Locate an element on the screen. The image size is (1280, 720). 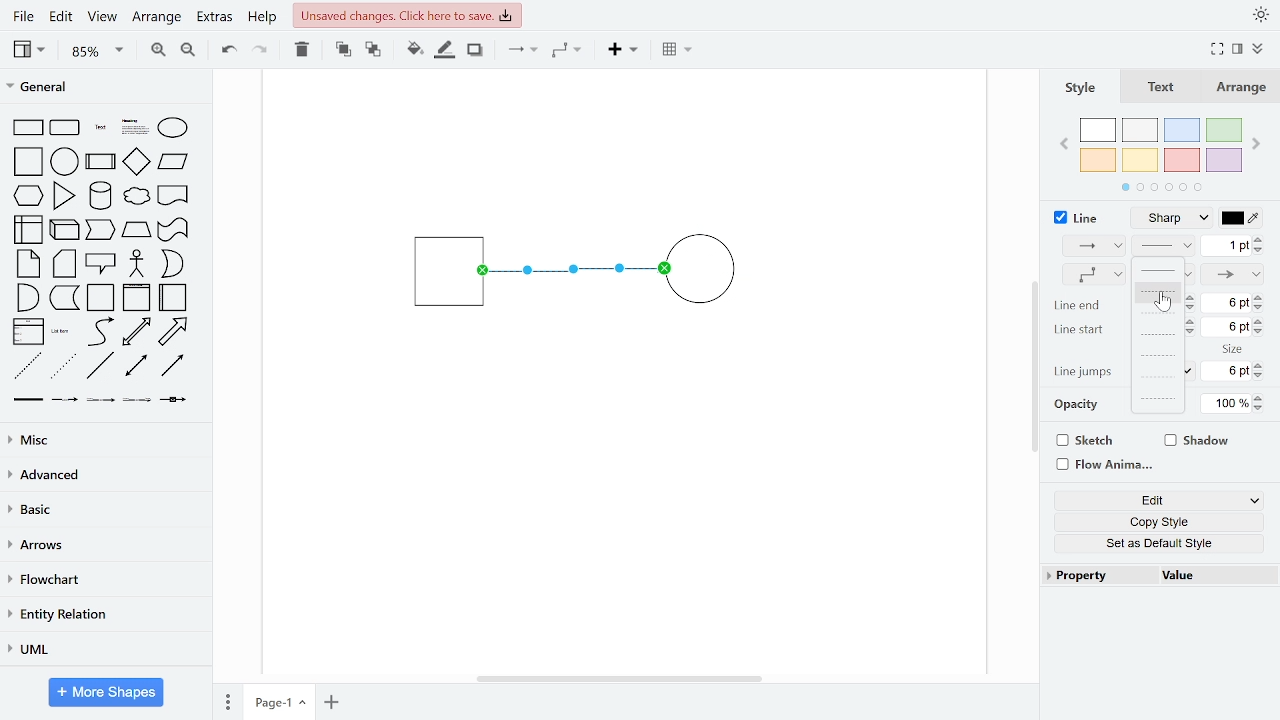
format is located at coordinates (1238, 49).